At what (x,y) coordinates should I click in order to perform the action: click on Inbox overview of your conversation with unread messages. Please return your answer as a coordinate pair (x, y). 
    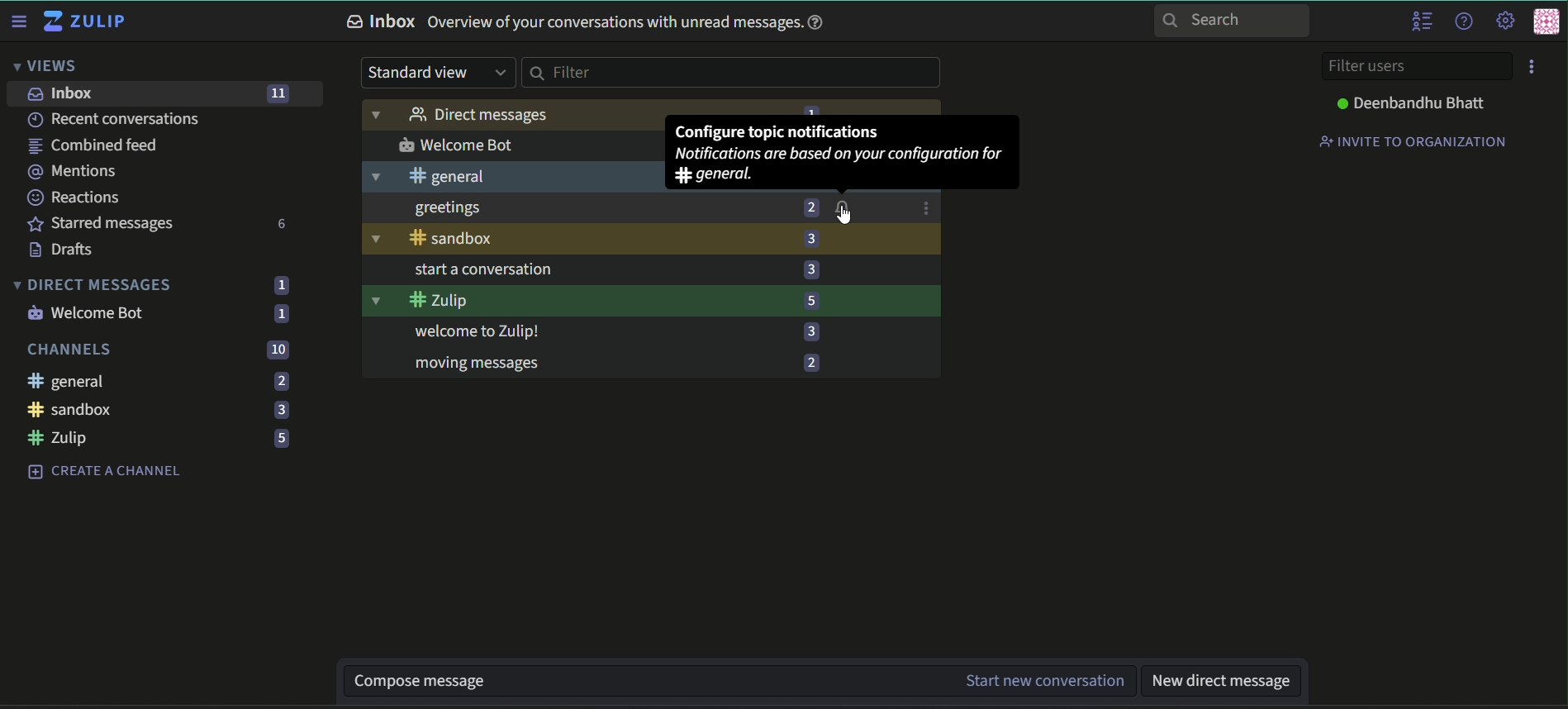
    Looking at the image, I should click on (590, 23).